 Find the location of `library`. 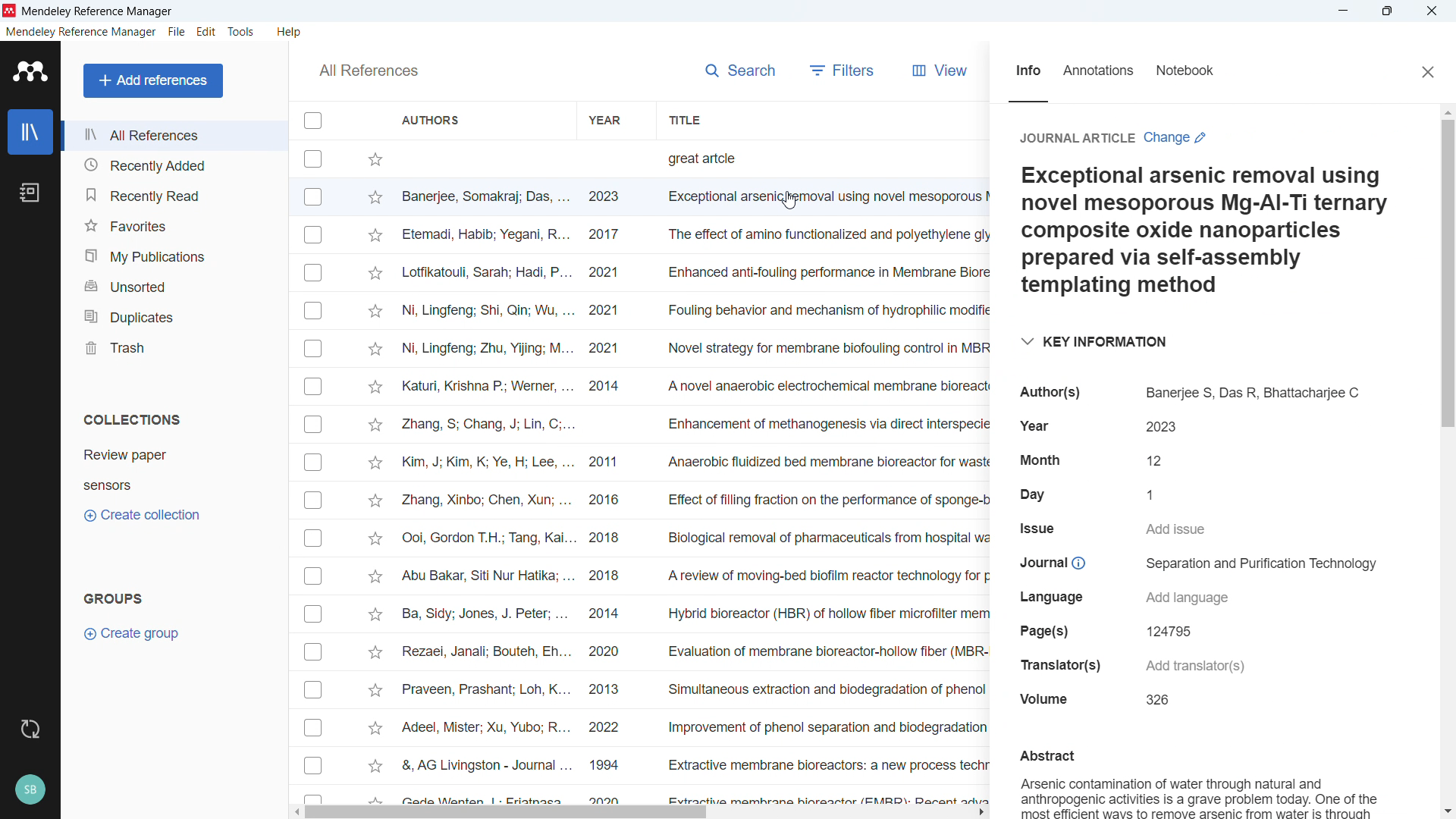

library is located at coordinates (30, 132).